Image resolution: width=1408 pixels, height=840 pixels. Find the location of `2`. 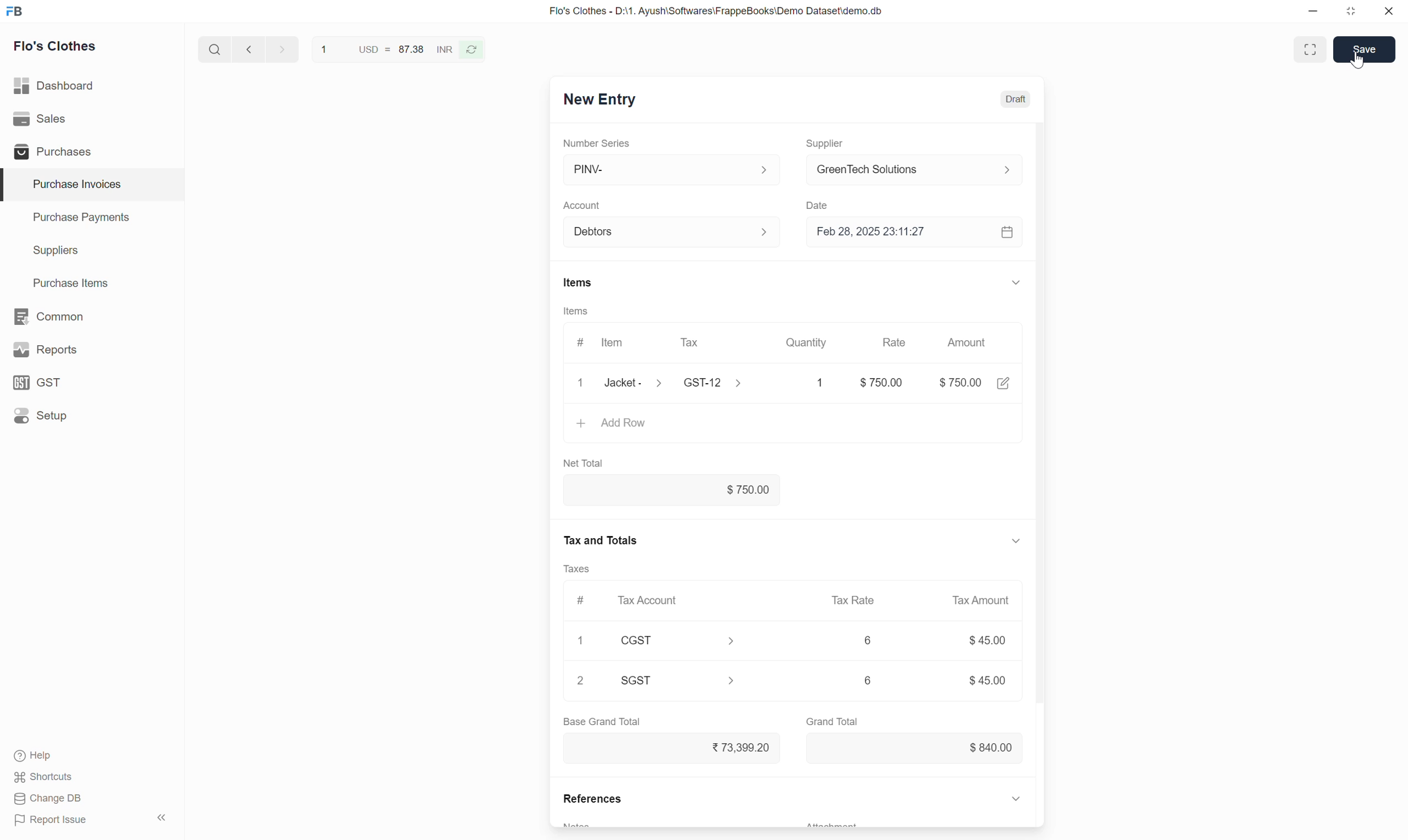

2 is located at coordinates (580, 680).